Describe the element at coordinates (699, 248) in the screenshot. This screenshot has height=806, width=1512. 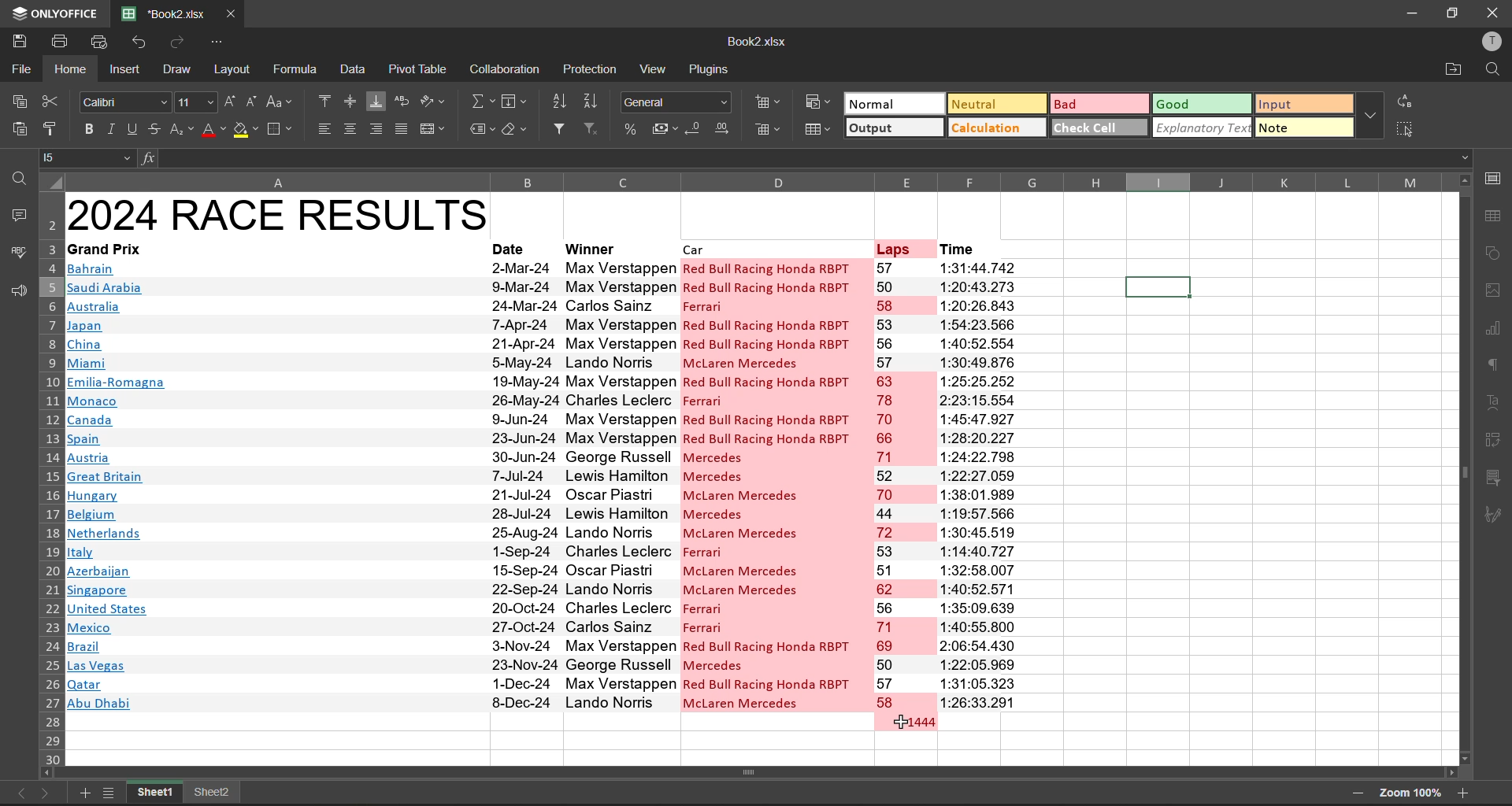
I see `car` at that location.